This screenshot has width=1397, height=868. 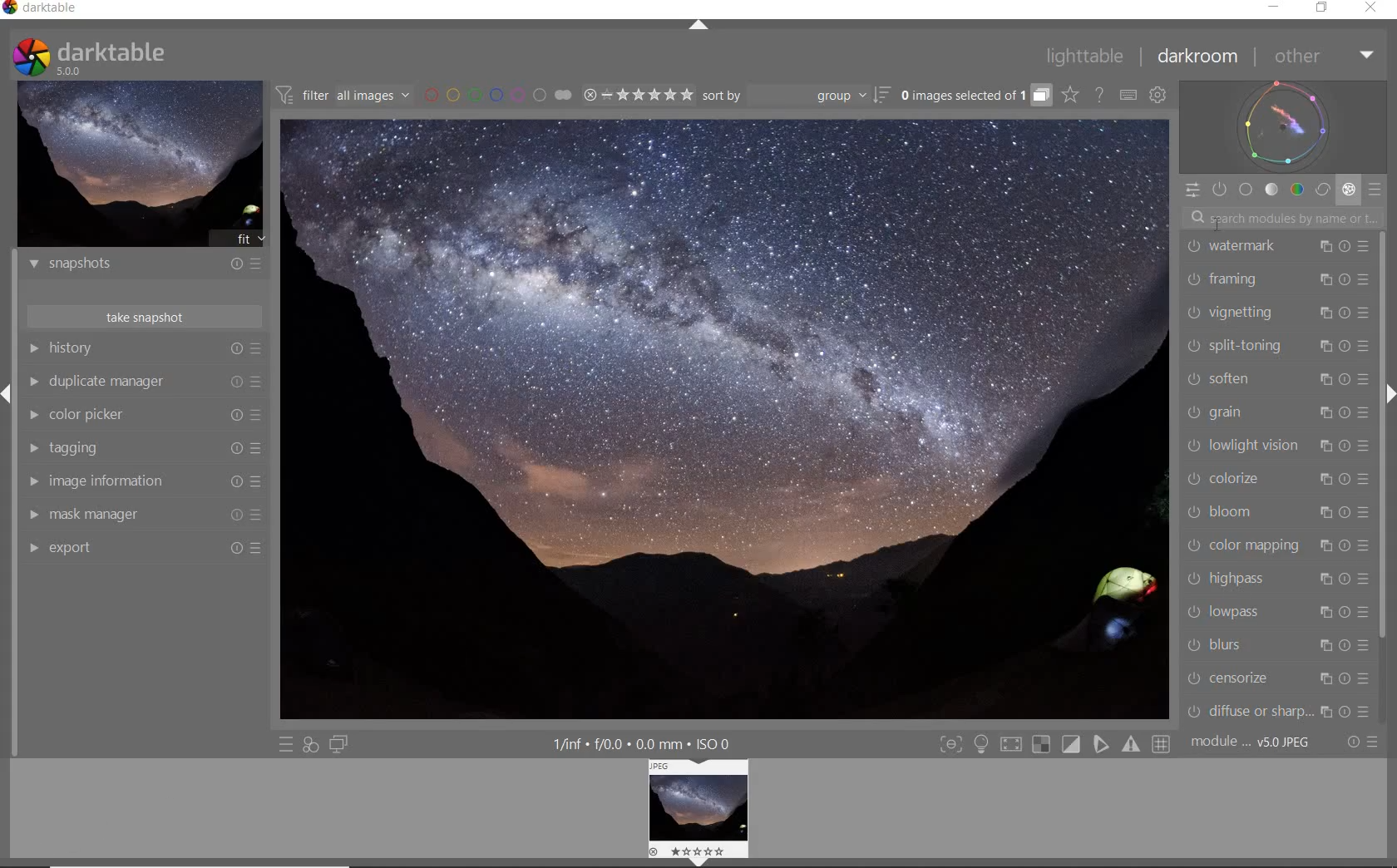 What do you see at coordinates (235, 481) in the screenshot?
I see `Reset` at bounding box center [235, 481].